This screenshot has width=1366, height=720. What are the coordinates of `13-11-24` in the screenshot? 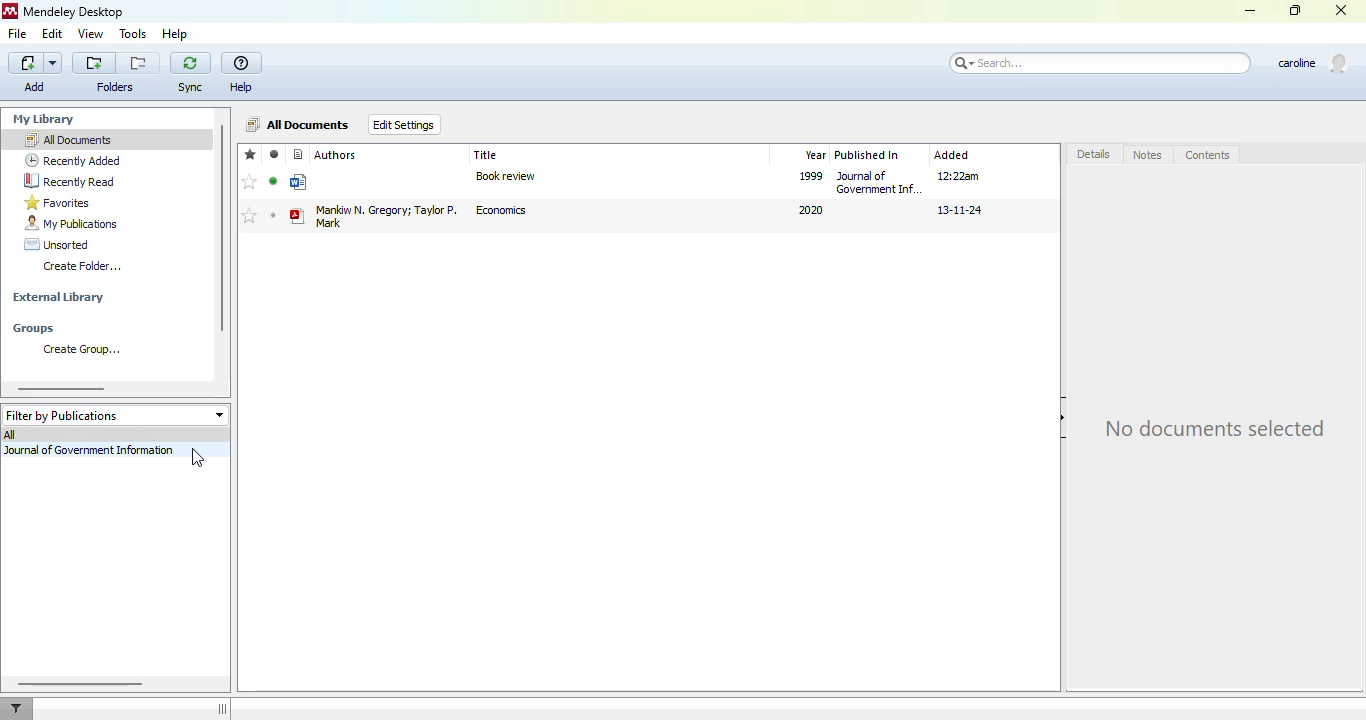 It's located at (960, 211).